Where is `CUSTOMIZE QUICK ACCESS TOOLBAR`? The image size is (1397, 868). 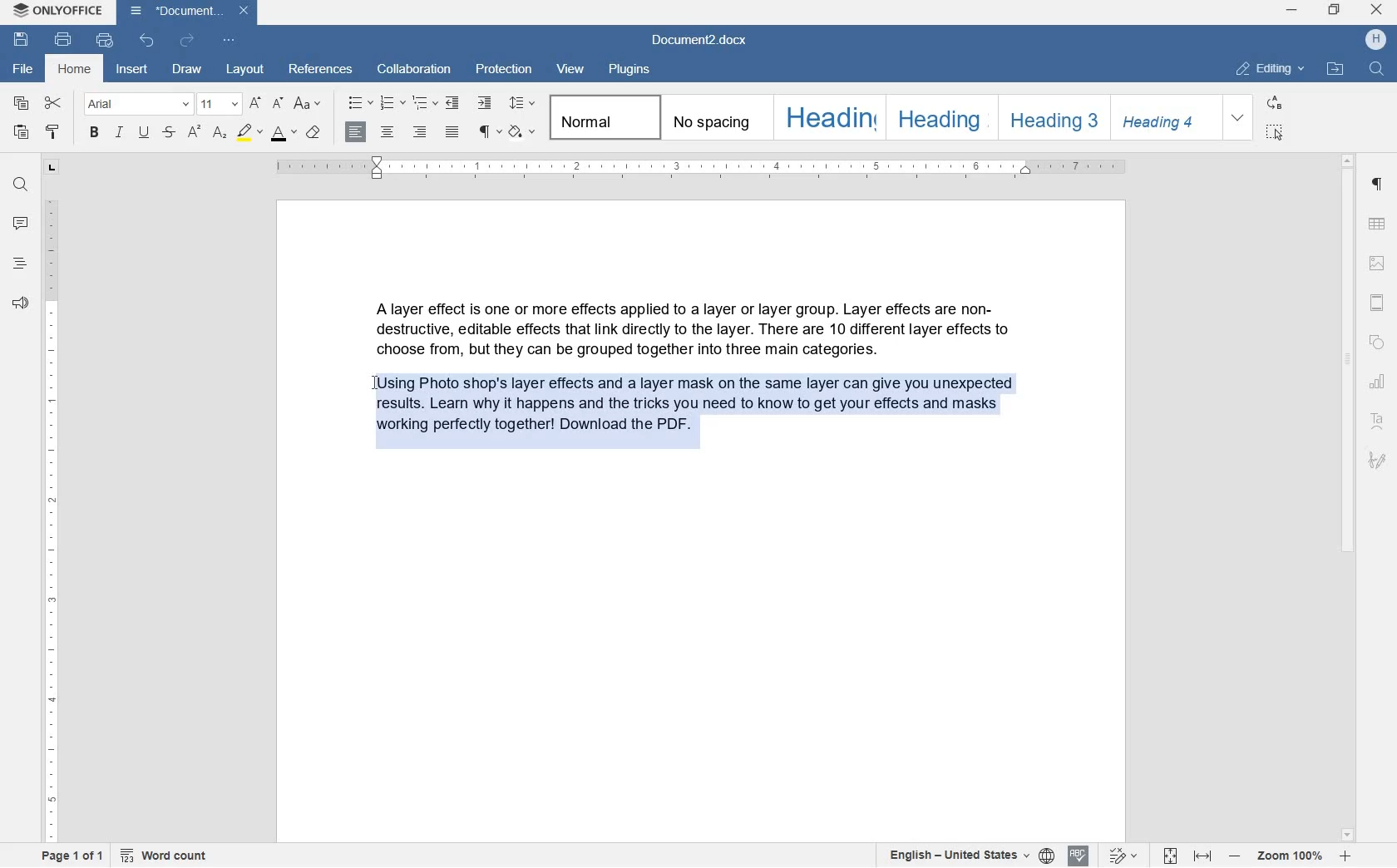
CUSTOMIZE QUICK ACCESS TOOLBAR is located at coordinates (231, 40).